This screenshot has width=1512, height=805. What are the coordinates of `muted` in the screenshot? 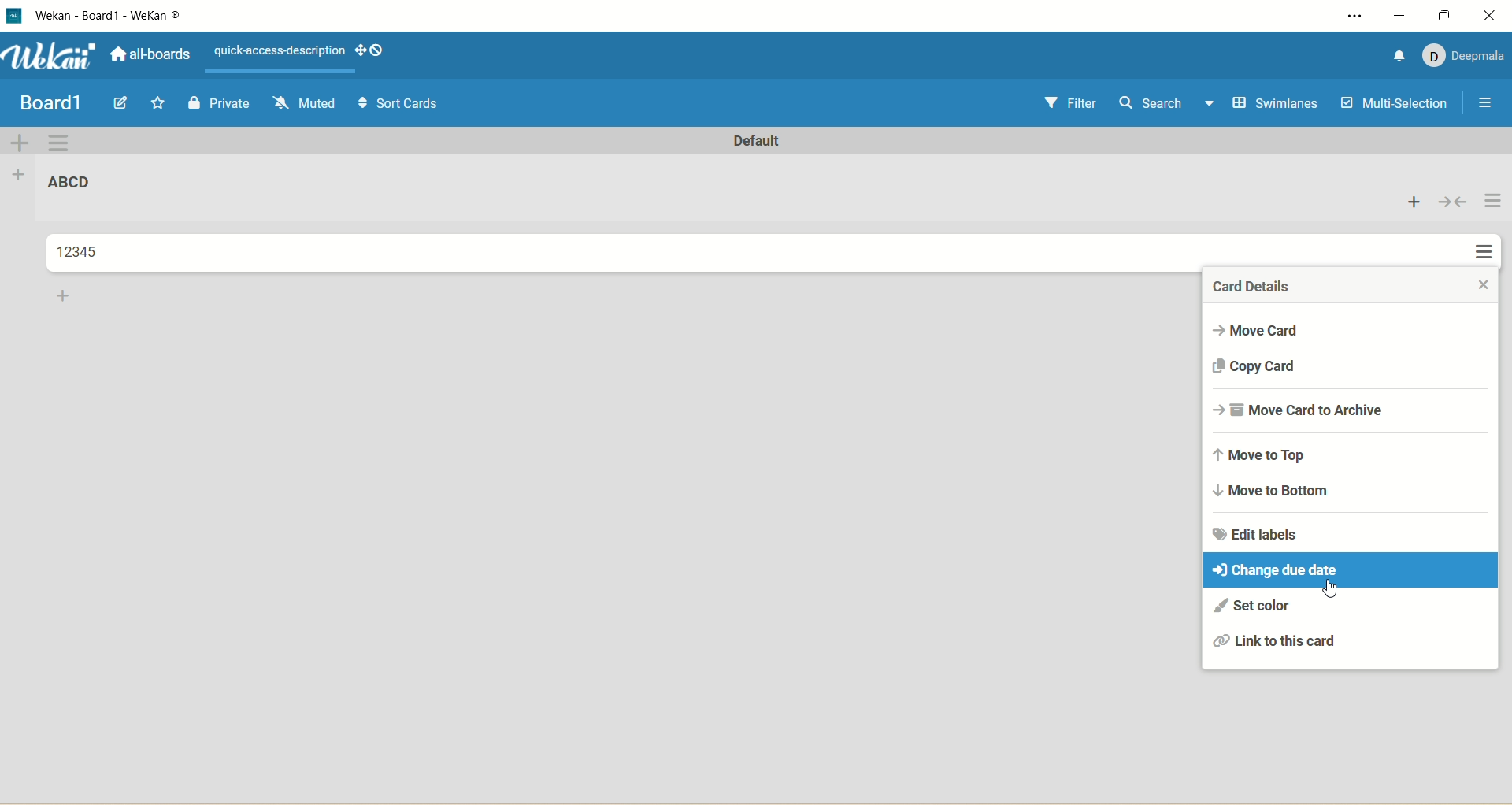 It's located at (306, 103).